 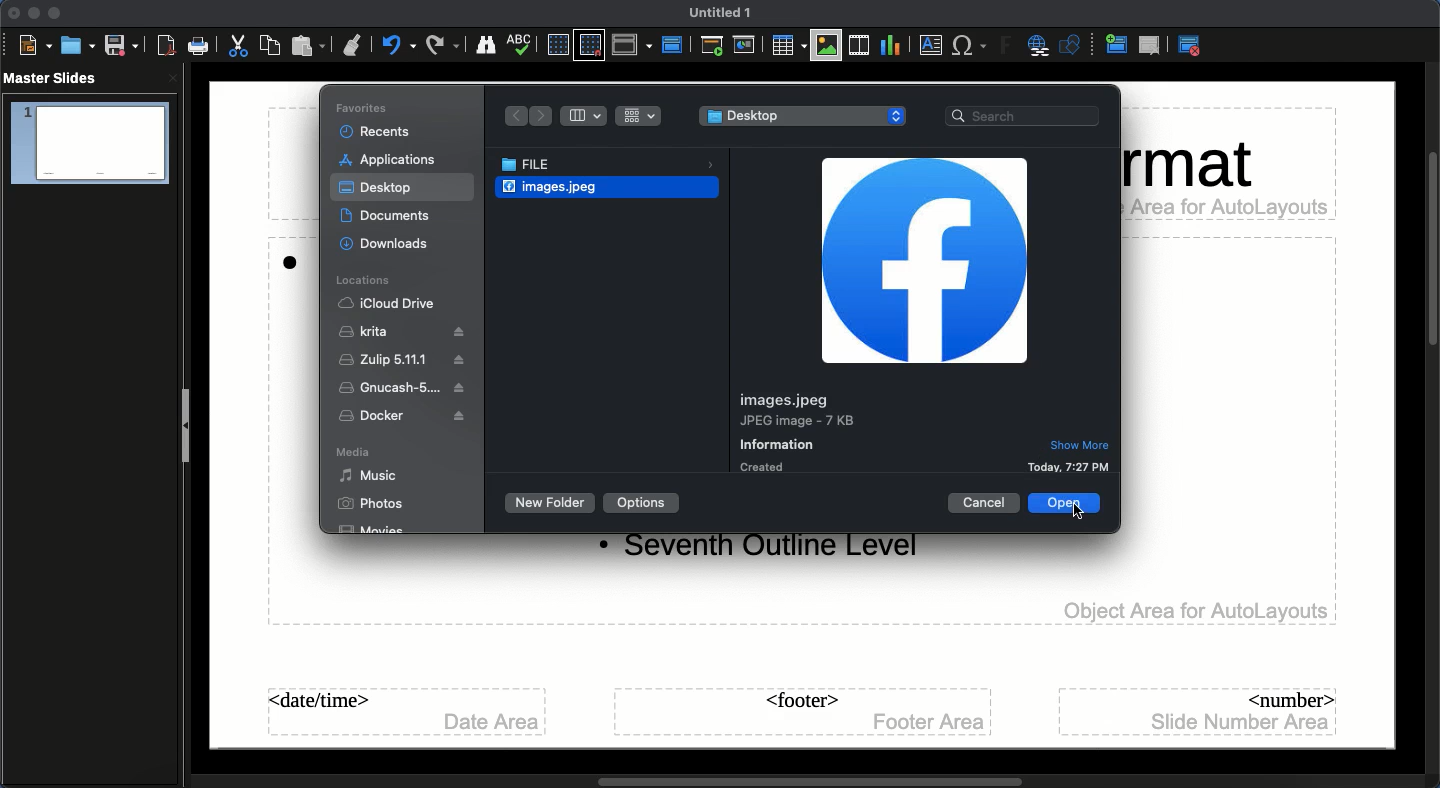 What do you see at coordinates (32, 45) in the screenshot?
I see `New` at bounding box center [32, 45].